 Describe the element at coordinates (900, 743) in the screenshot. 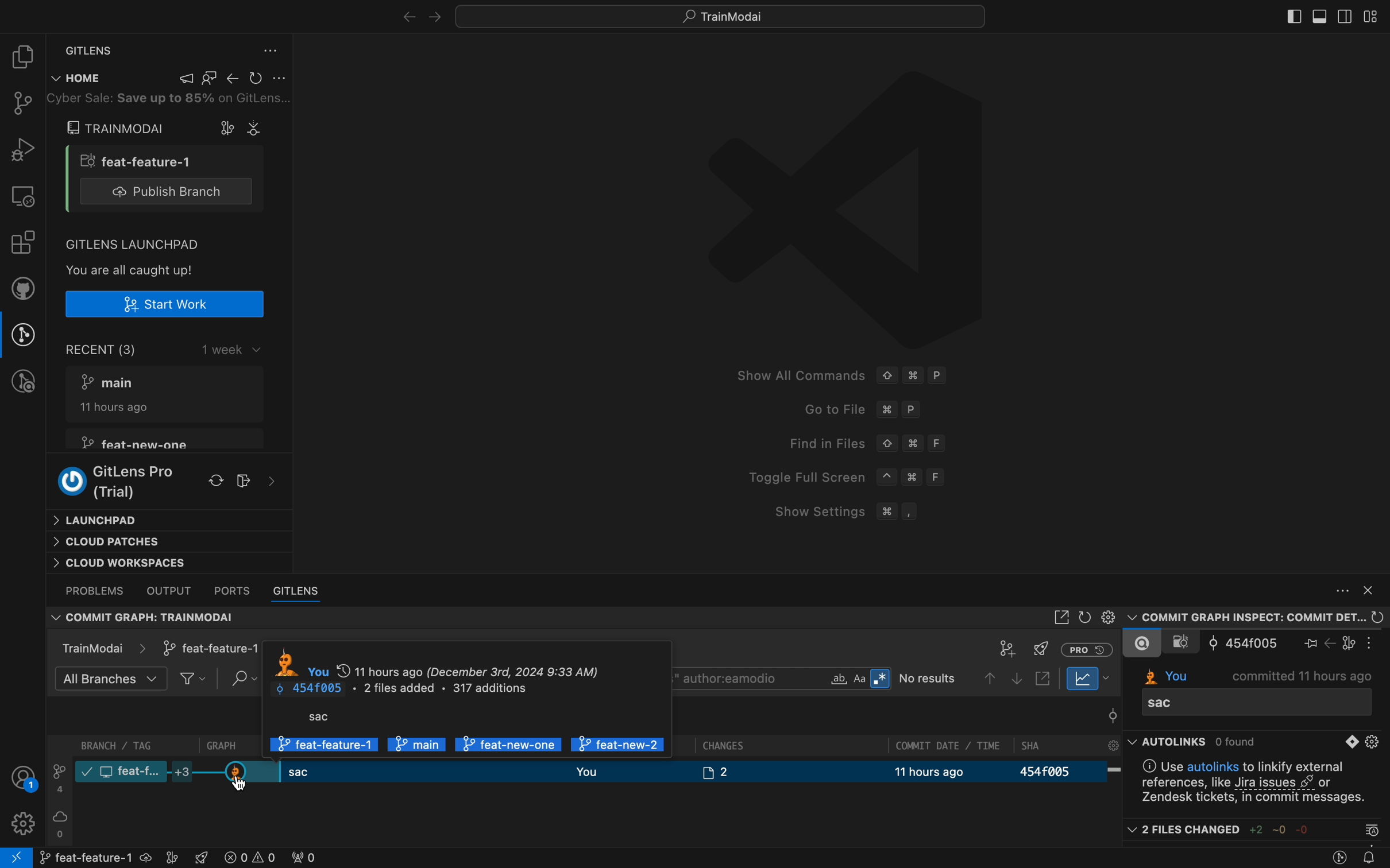

I see `` at that location.